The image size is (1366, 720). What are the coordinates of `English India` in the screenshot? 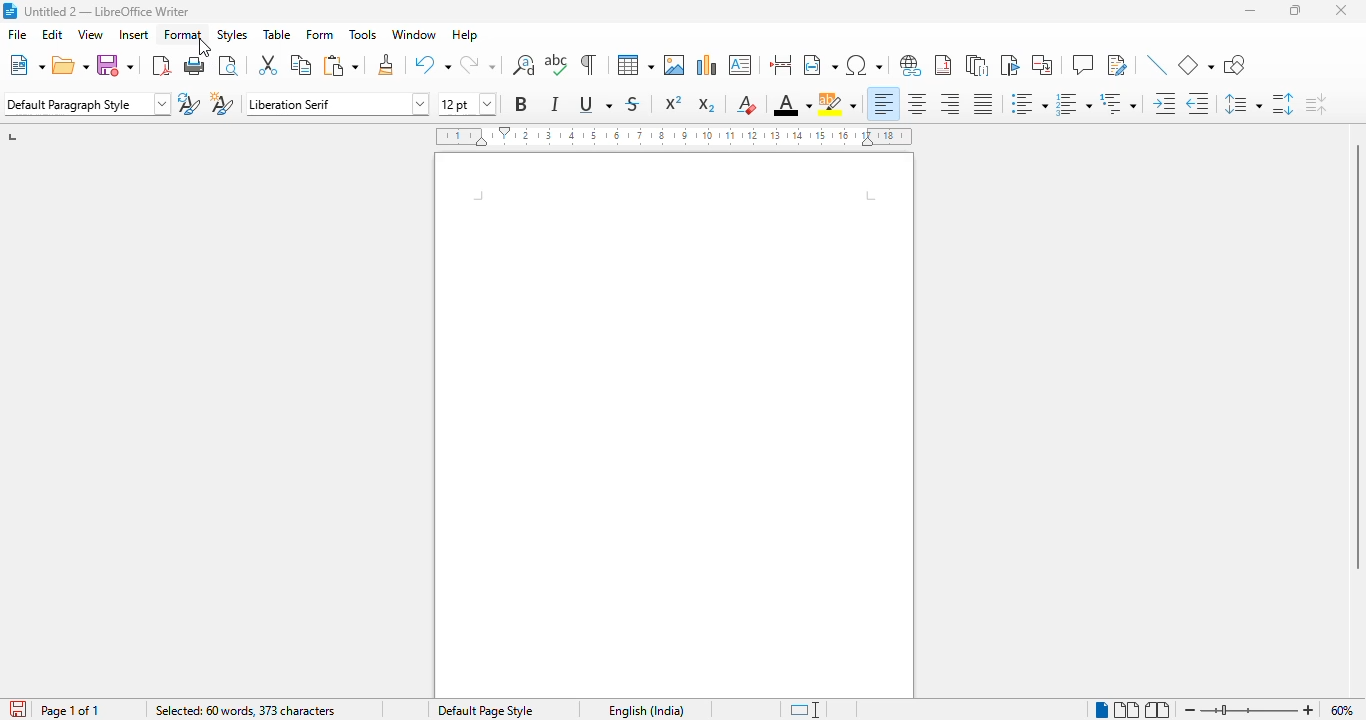 It's located at (645, 710).